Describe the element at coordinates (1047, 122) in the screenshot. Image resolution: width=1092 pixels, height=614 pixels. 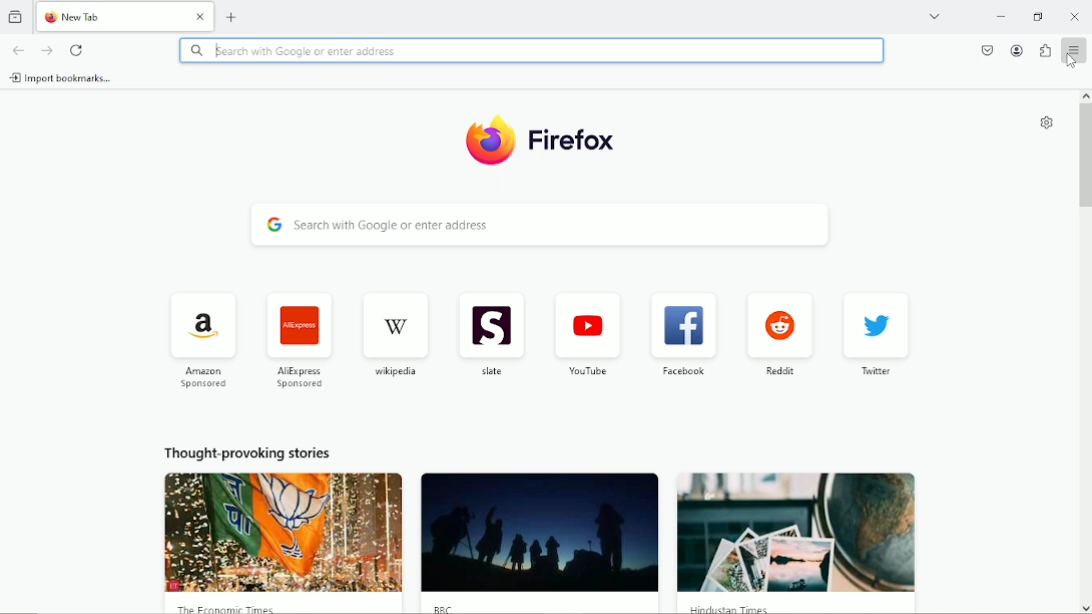
I see `customize new tab` at that location.